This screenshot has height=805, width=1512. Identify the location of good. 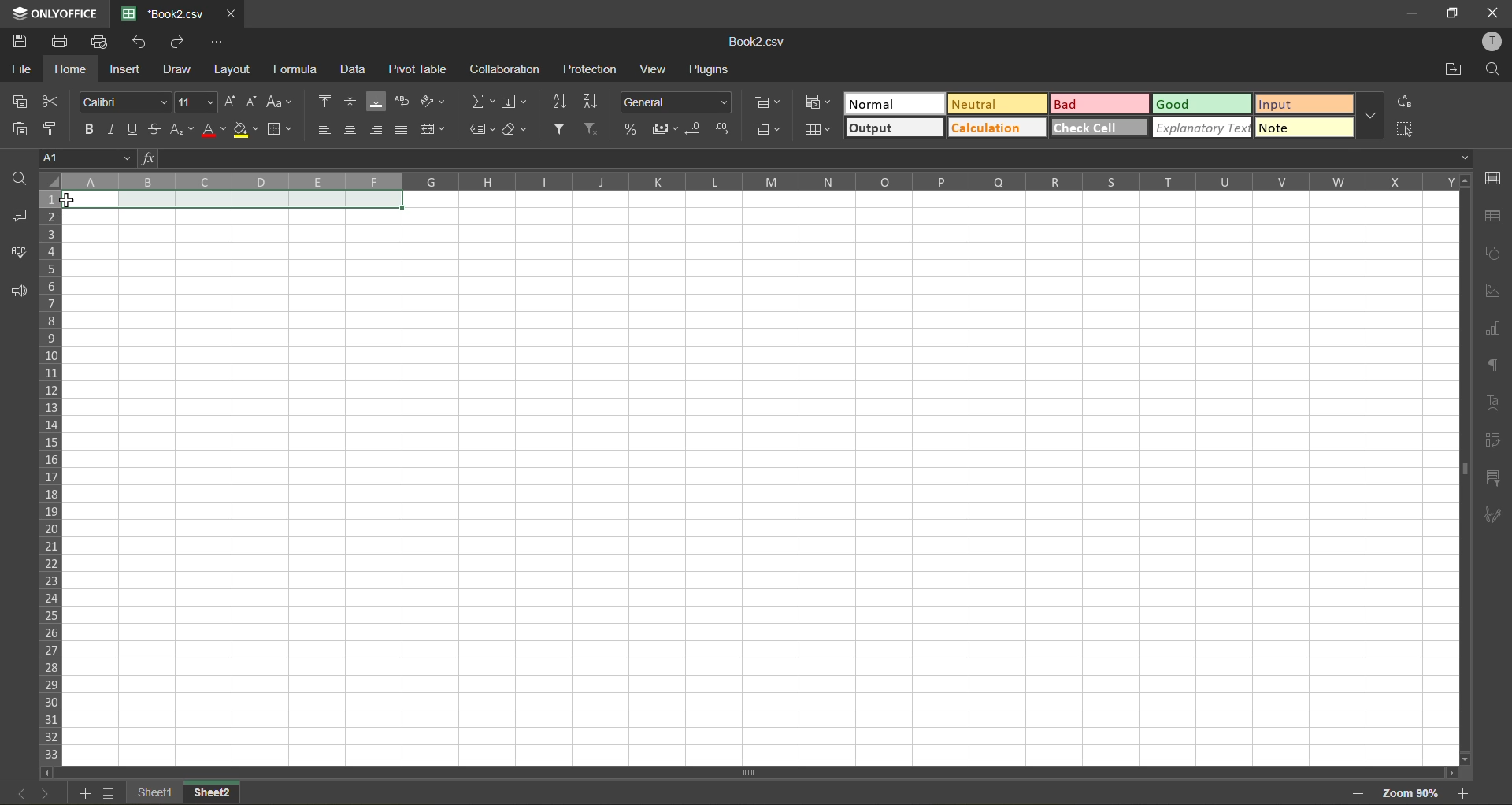
(1203, 102).